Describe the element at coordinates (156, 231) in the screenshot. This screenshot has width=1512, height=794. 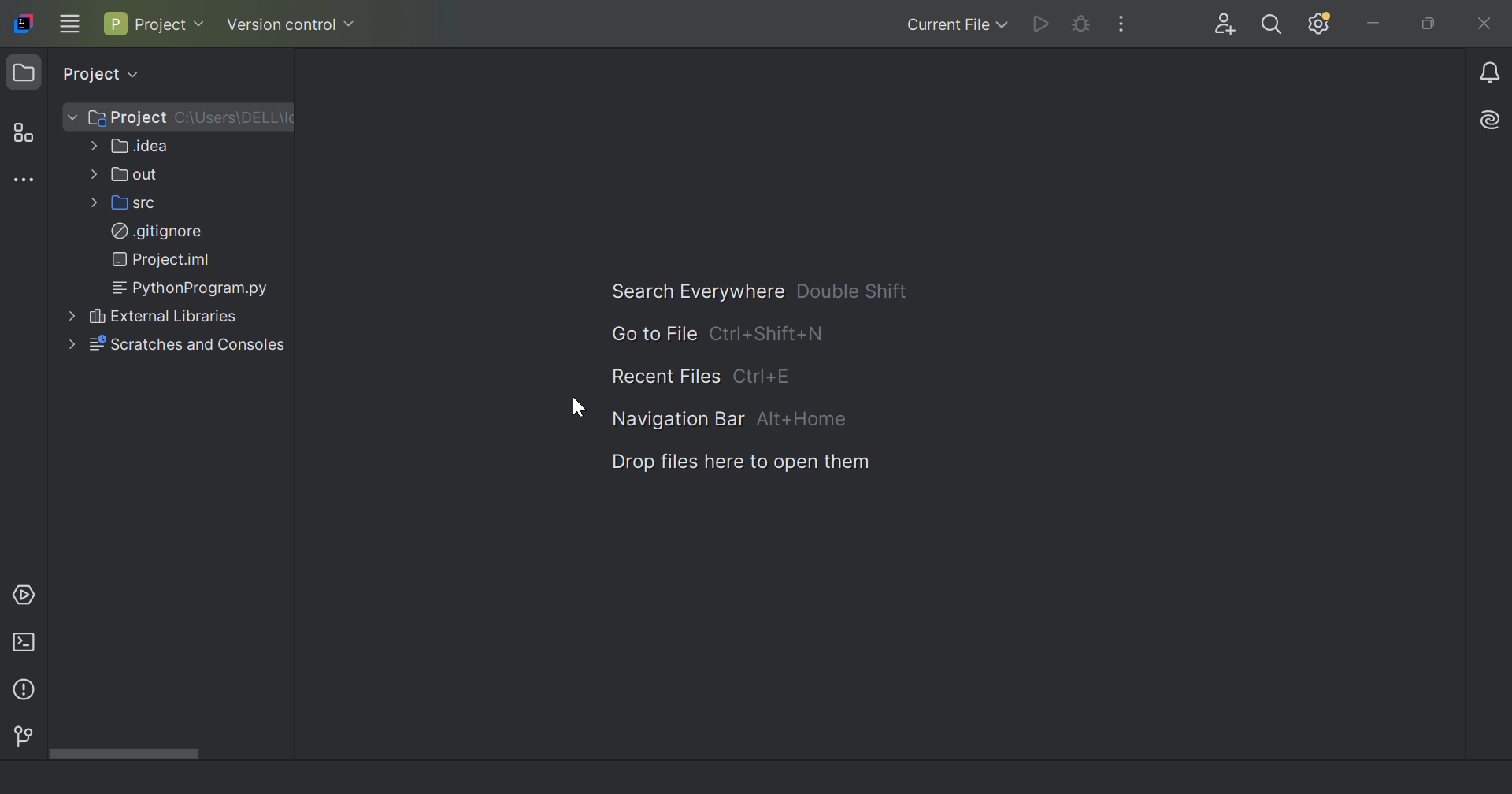
I see `.gitignore` at that location.